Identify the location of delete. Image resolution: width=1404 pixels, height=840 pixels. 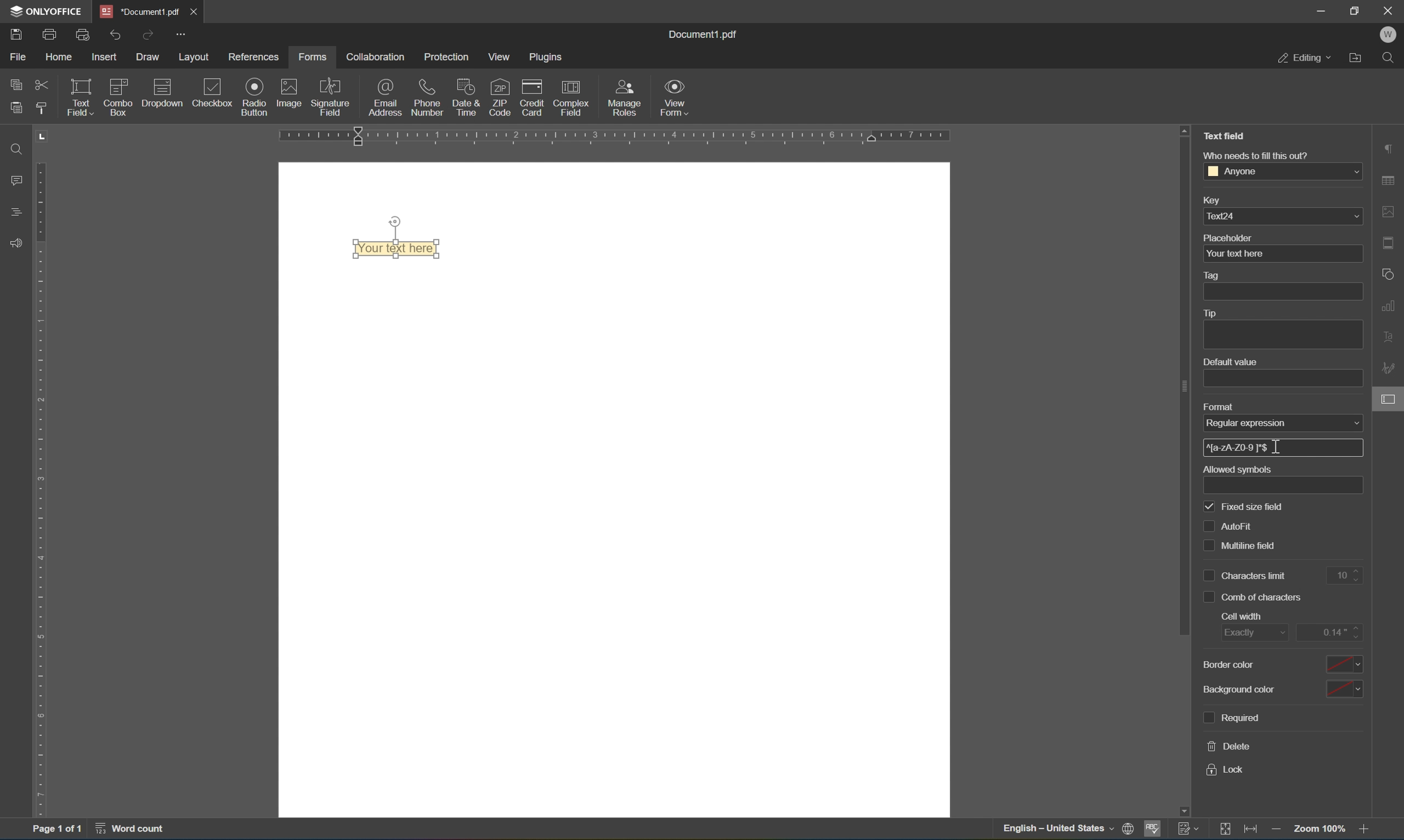
(1230, 746).